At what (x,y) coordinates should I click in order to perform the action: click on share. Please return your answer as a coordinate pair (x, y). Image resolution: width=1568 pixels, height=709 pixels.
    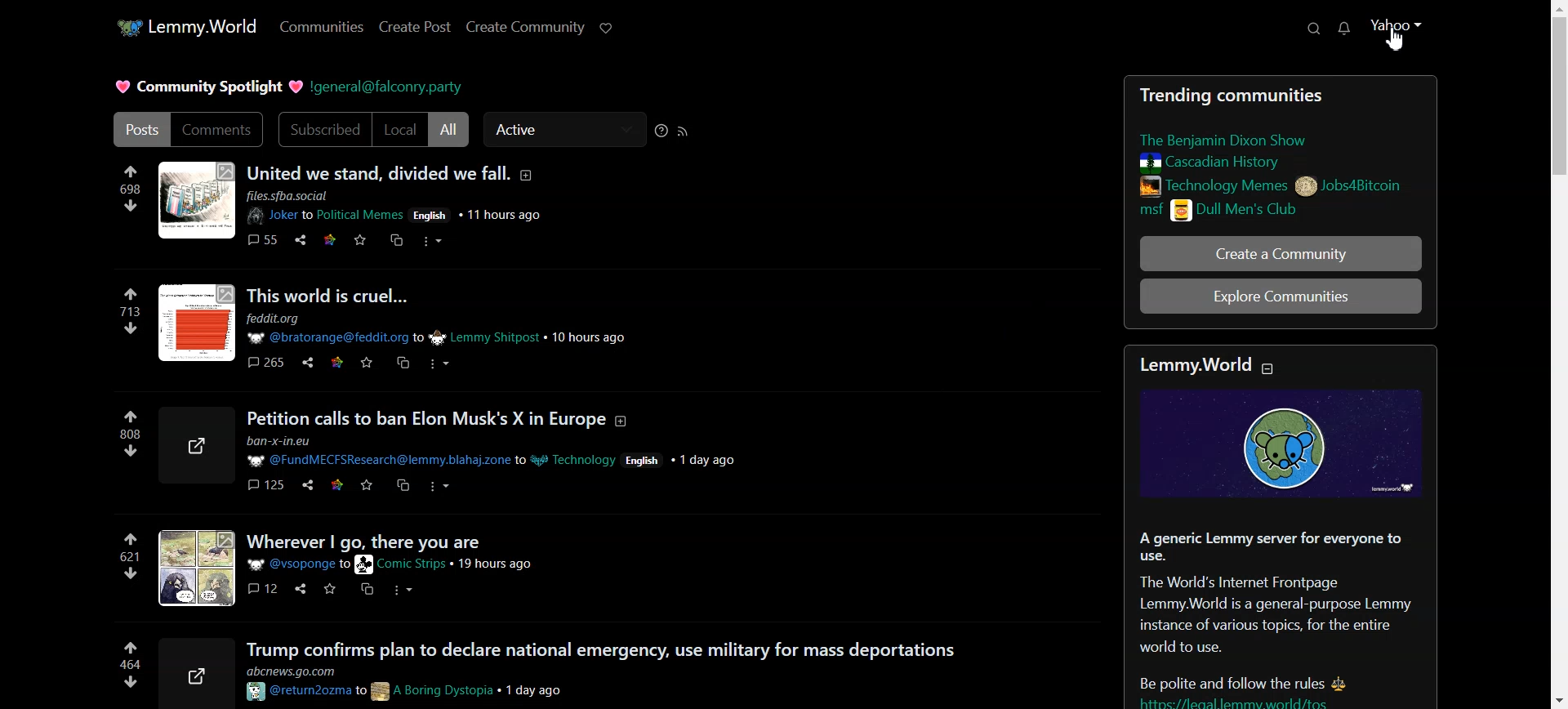
    Looking at the image, I should click on (302, 595).